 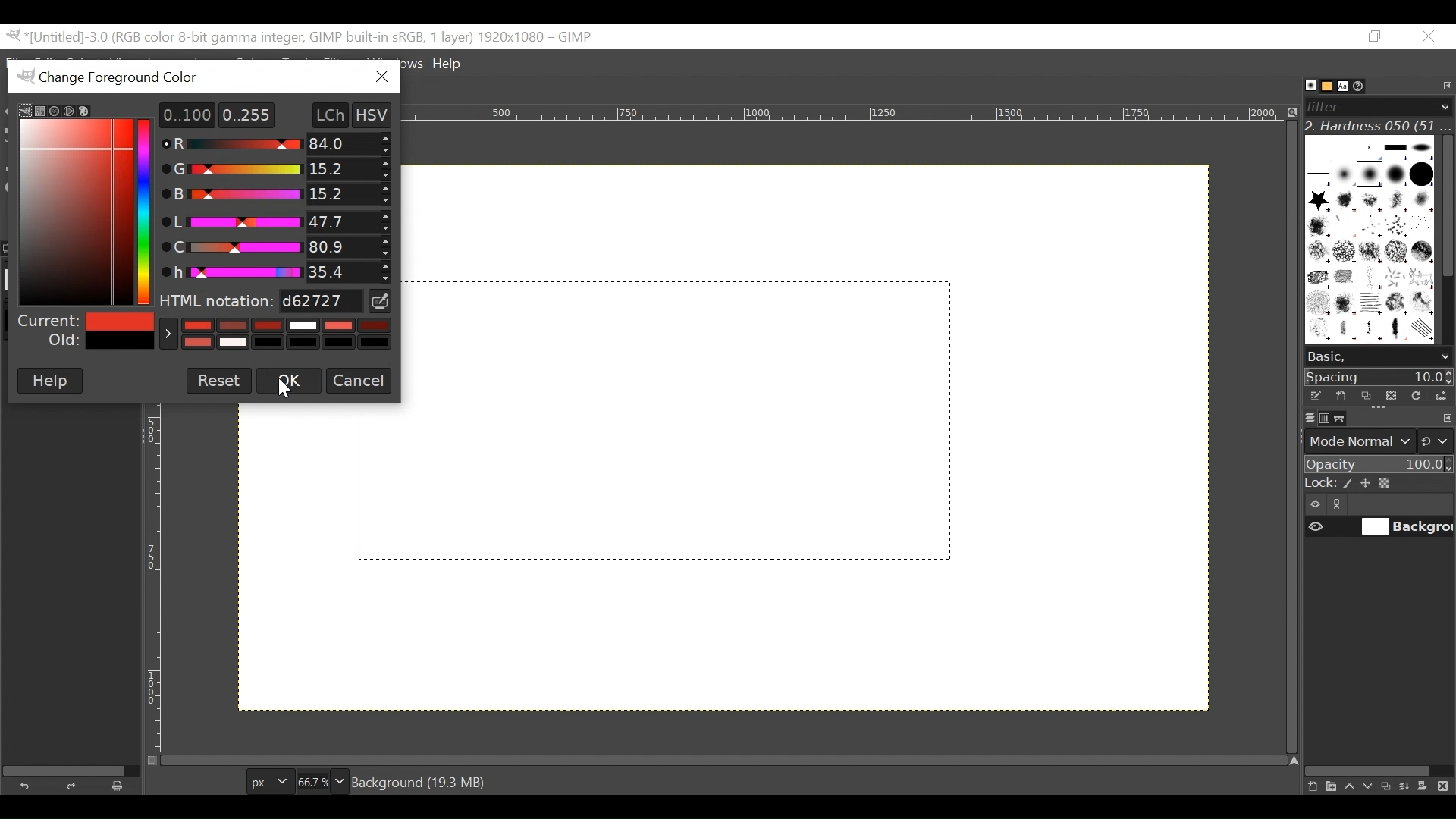 What do you see at coordinates (1366, 396) in the screenshot?
I see `Duplicate brush` at bounding box center [1366, 396].